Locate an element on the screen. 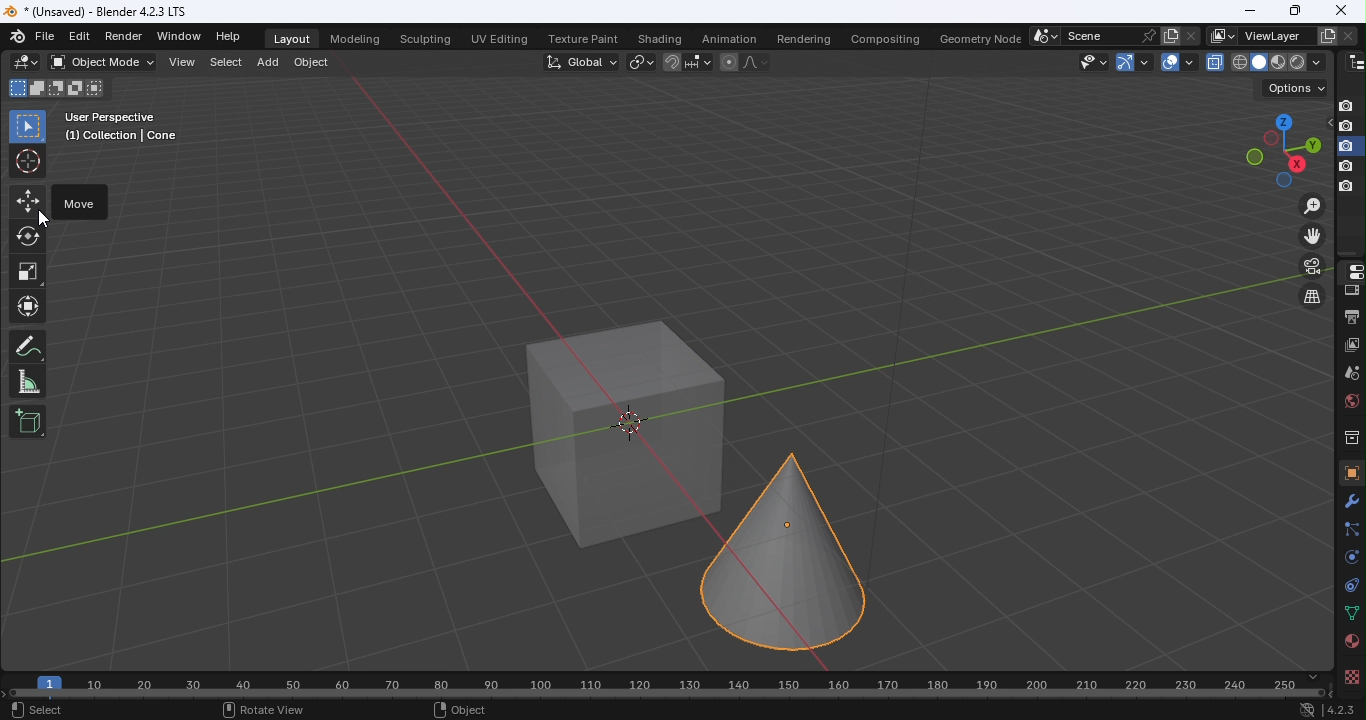 This screenshot has width=1366, height=720. viewpoint shader: solid is located at coordinates (1257, 62).